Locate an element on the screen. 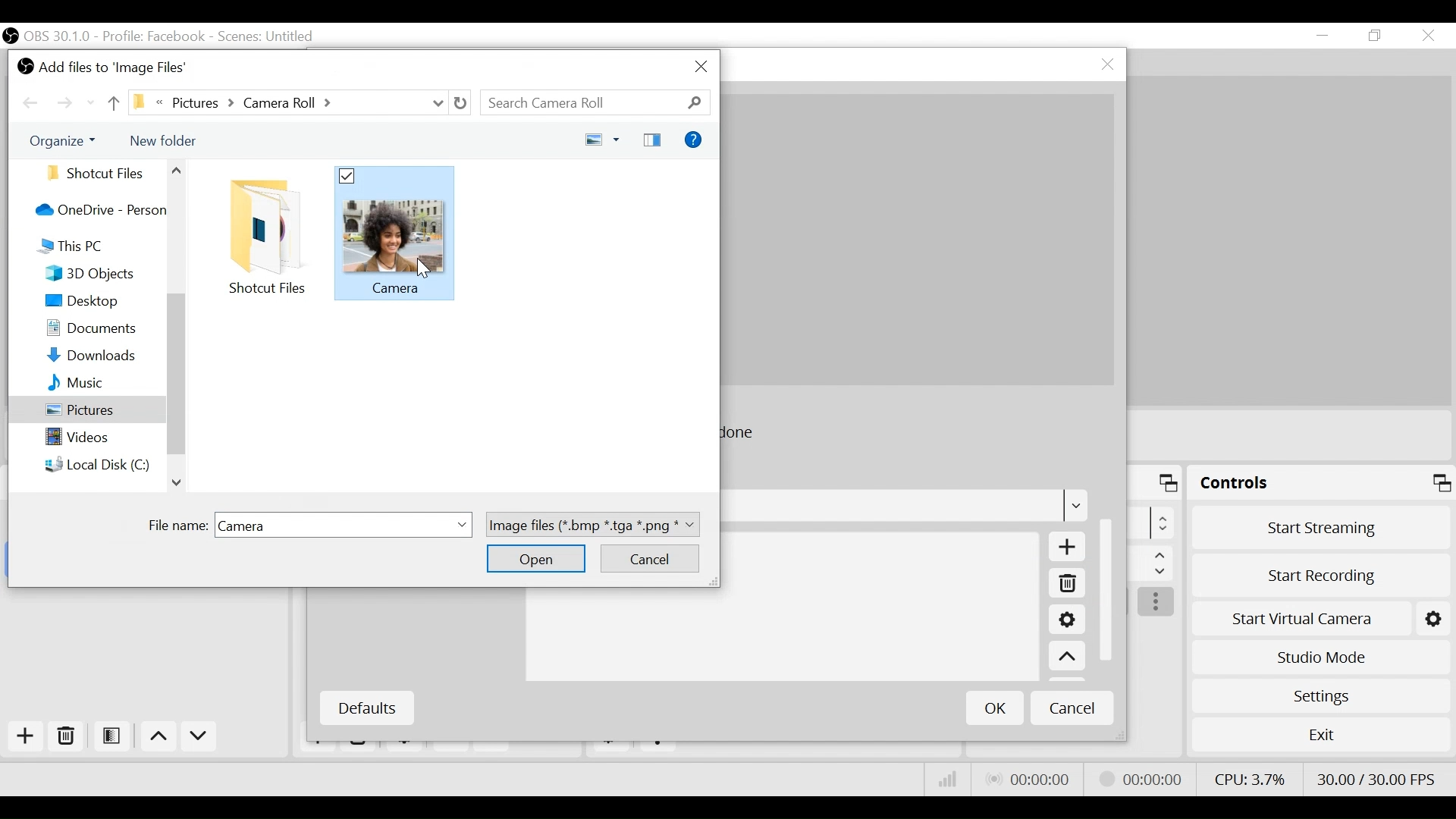  more options is located at coordinates (1157, 603).